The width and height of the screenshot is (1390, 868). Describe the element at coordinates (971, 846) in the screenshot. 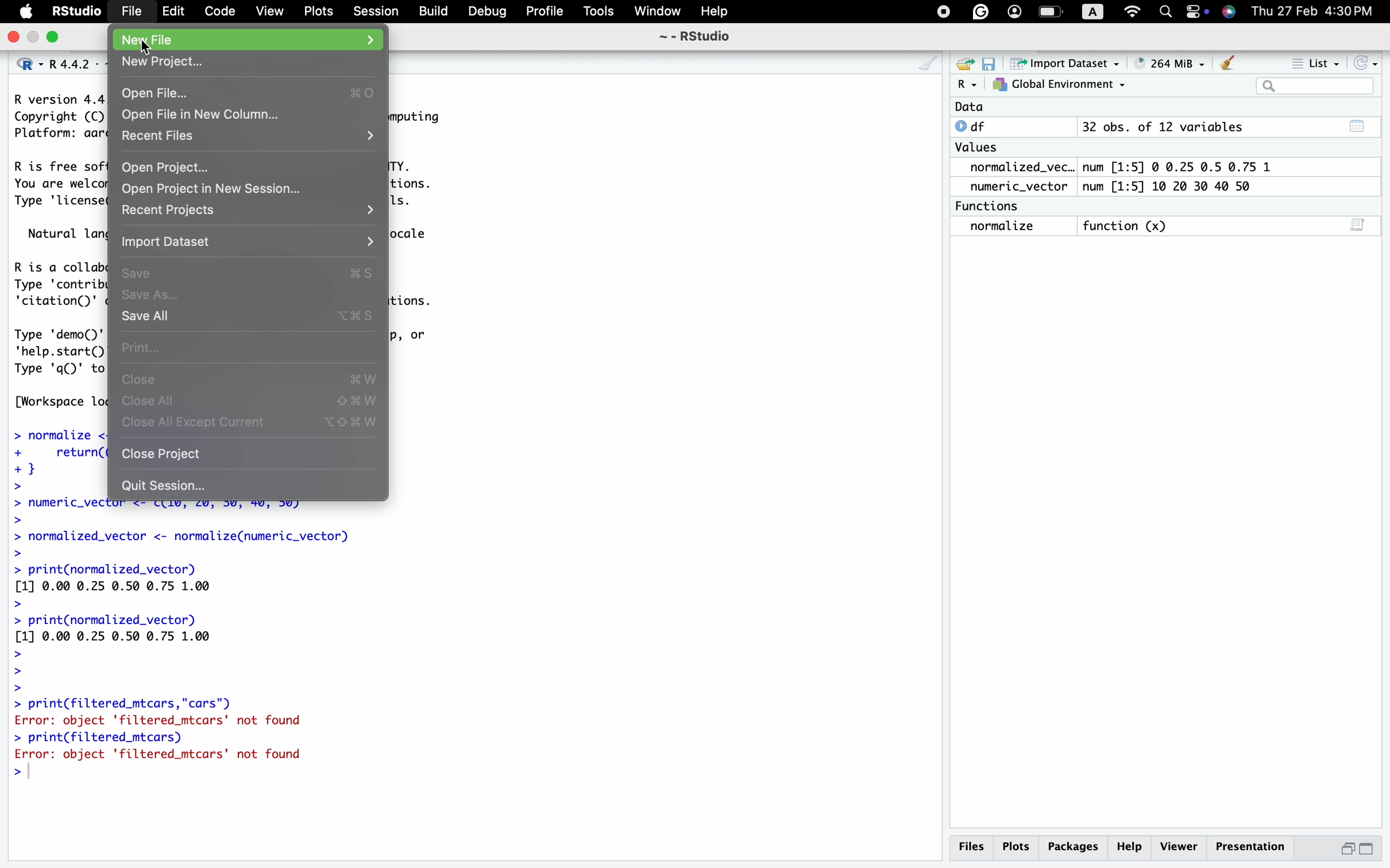

I see `files` at that location.